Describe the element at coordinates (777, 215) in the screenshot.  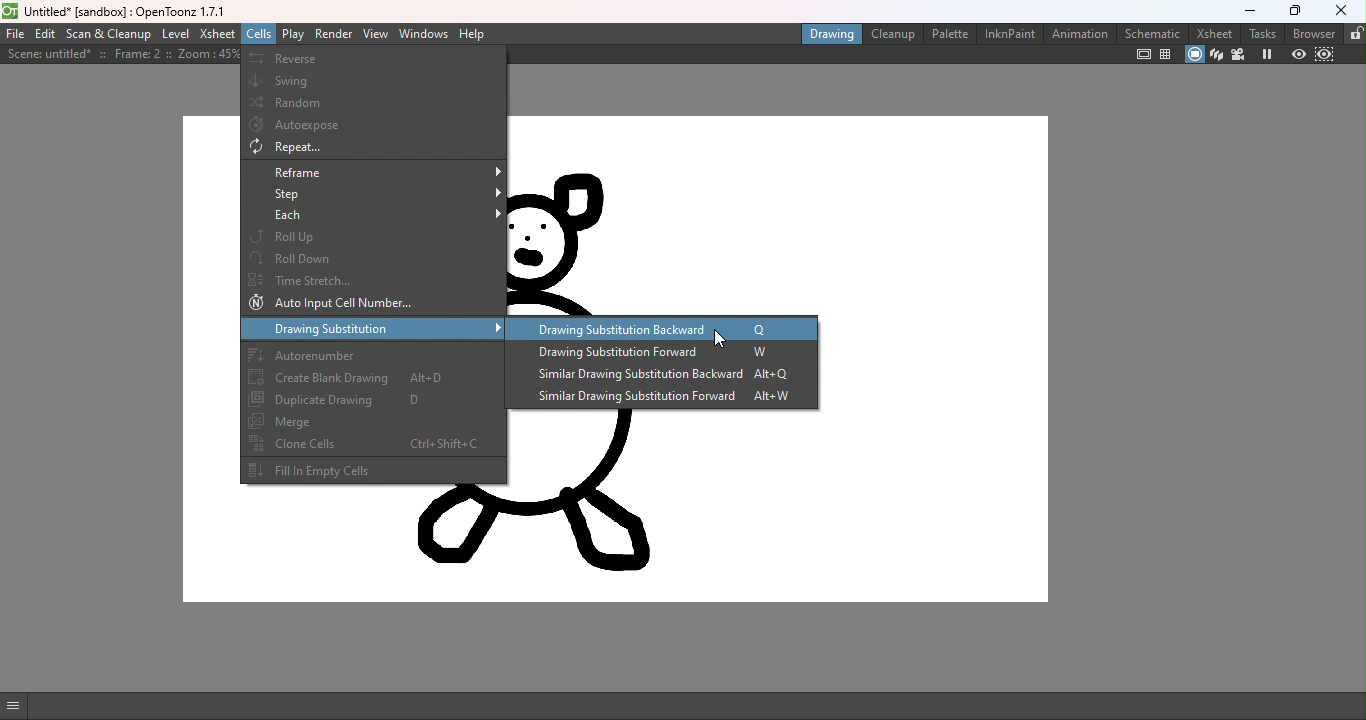
I see `canvas` at that location.